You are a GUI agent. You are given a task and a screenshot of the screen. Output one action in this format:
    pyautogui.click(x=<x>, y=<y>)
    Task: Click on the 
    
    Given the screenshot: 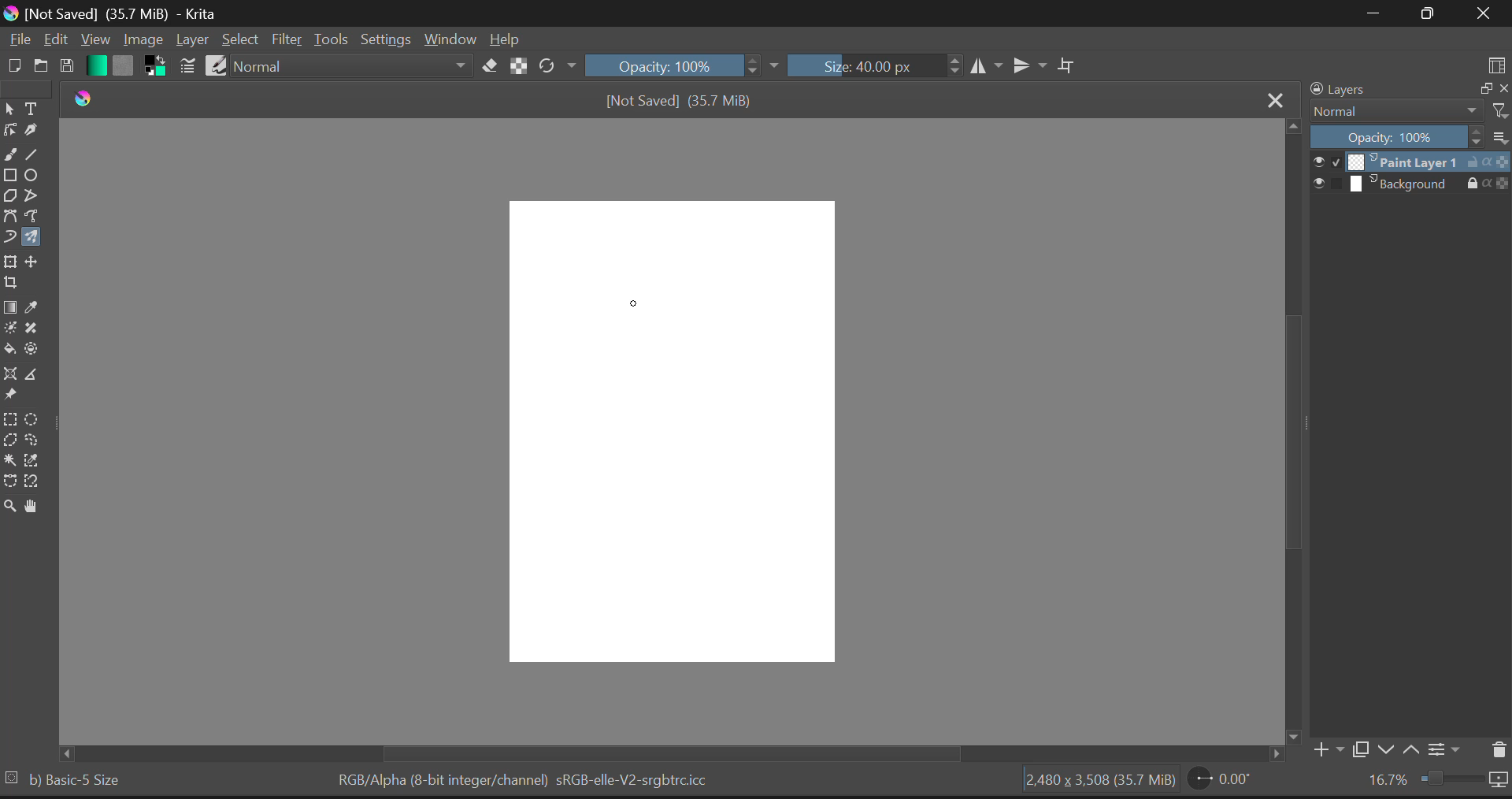 What is the action you would take?
    pyautogui.click(x=1294, y=735)
    